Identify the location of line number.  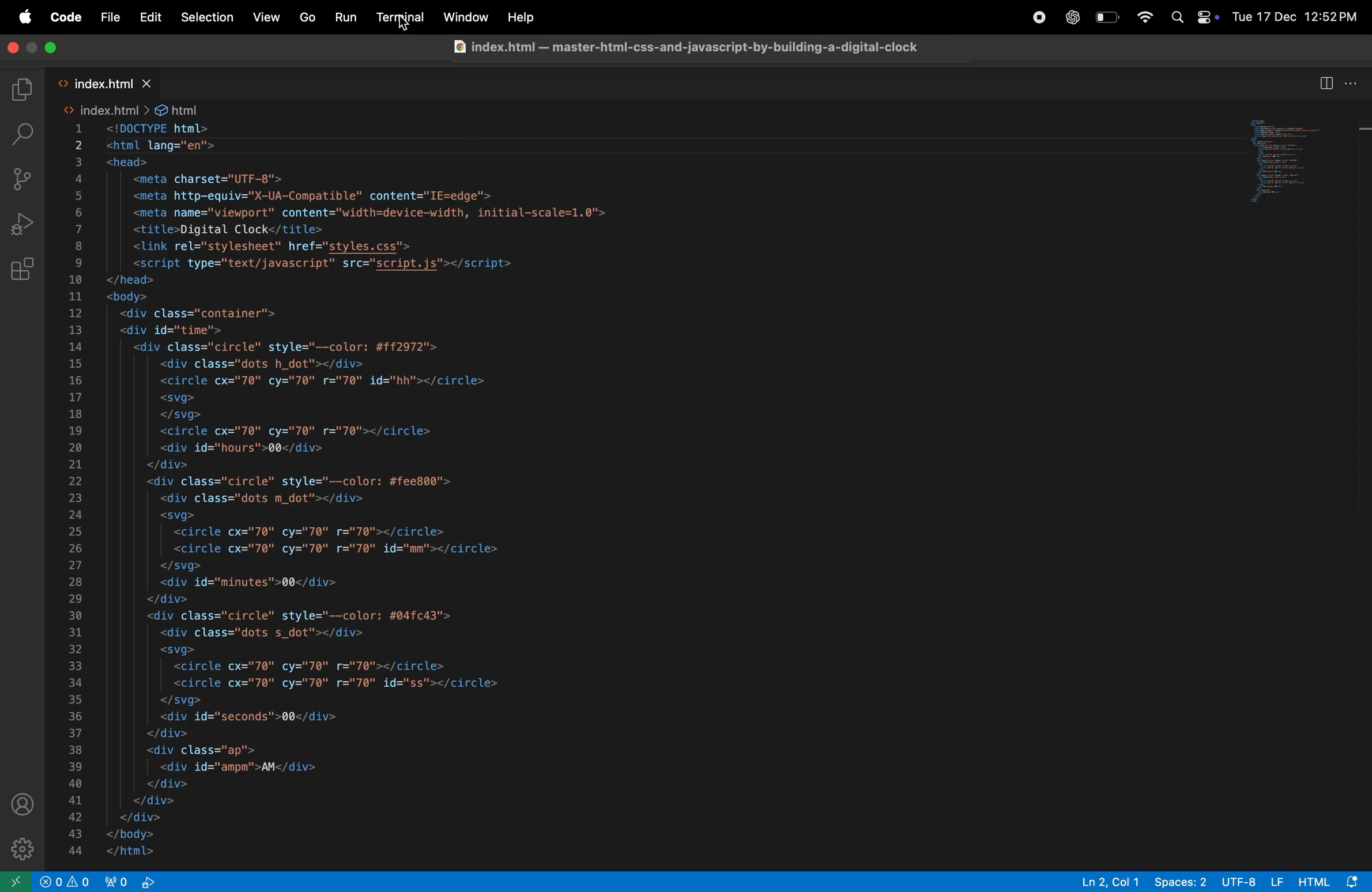
(76, 490).